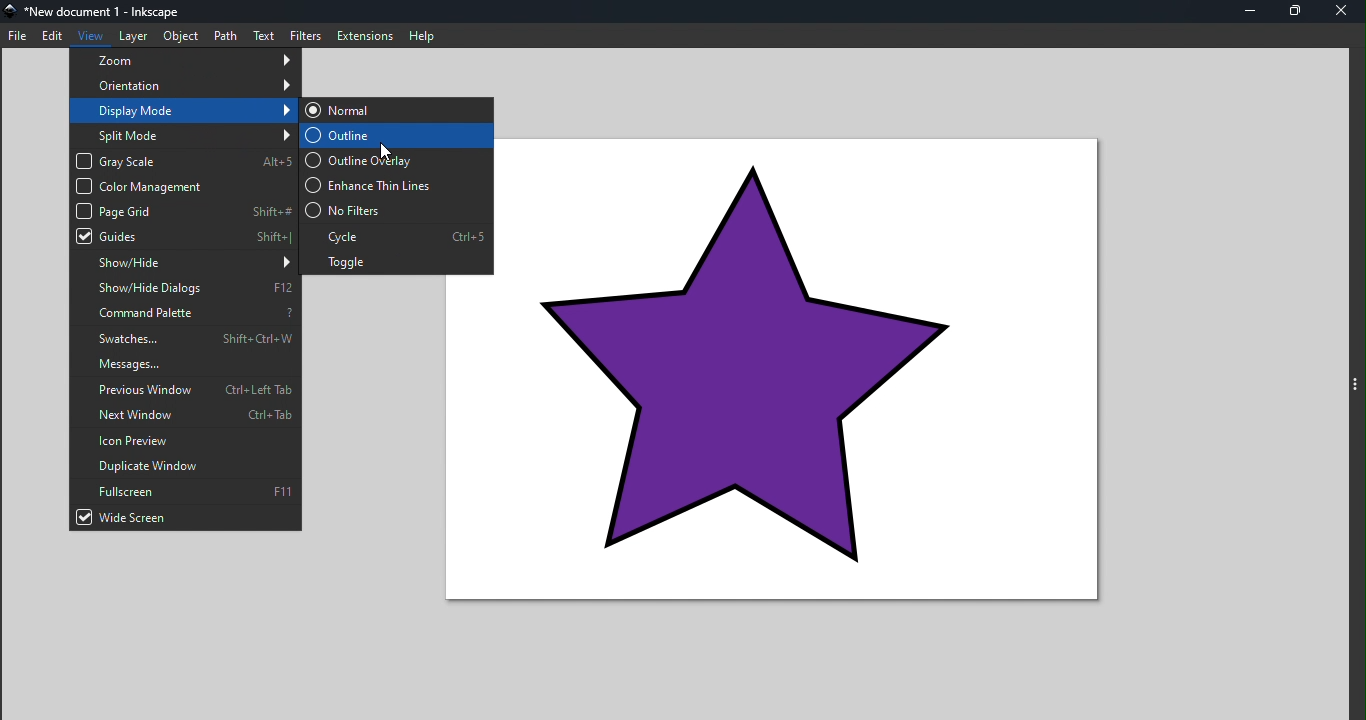 The image size is (1366, 720). I want to click on Command palette, so click(185, 310).